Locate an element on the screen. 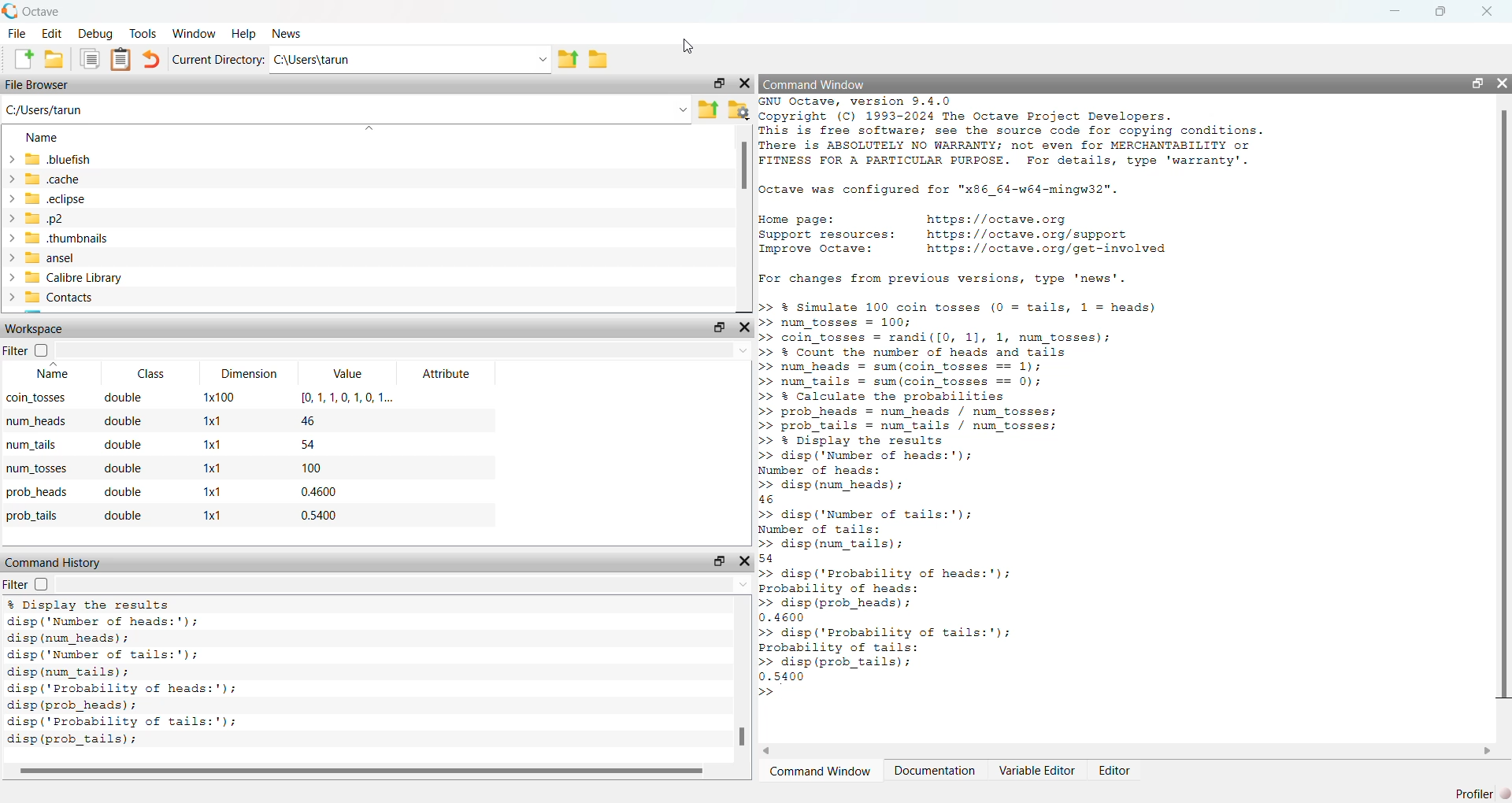 This screenshot has height=803, width=1512. Dropdown is located at coordinates (541, 59).